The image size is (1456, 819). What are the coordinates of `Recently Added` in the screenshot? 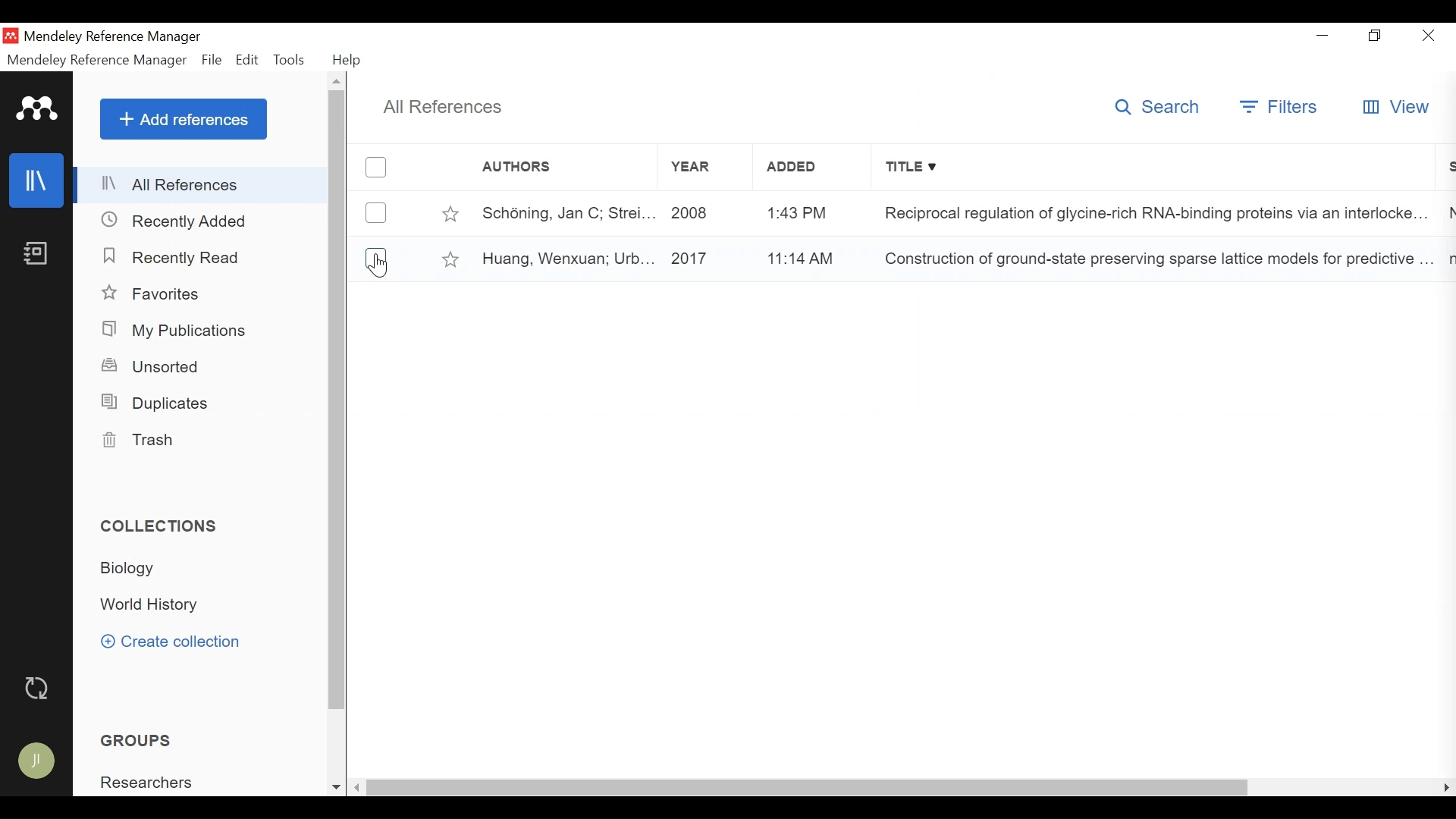 It's located at (183, 221).